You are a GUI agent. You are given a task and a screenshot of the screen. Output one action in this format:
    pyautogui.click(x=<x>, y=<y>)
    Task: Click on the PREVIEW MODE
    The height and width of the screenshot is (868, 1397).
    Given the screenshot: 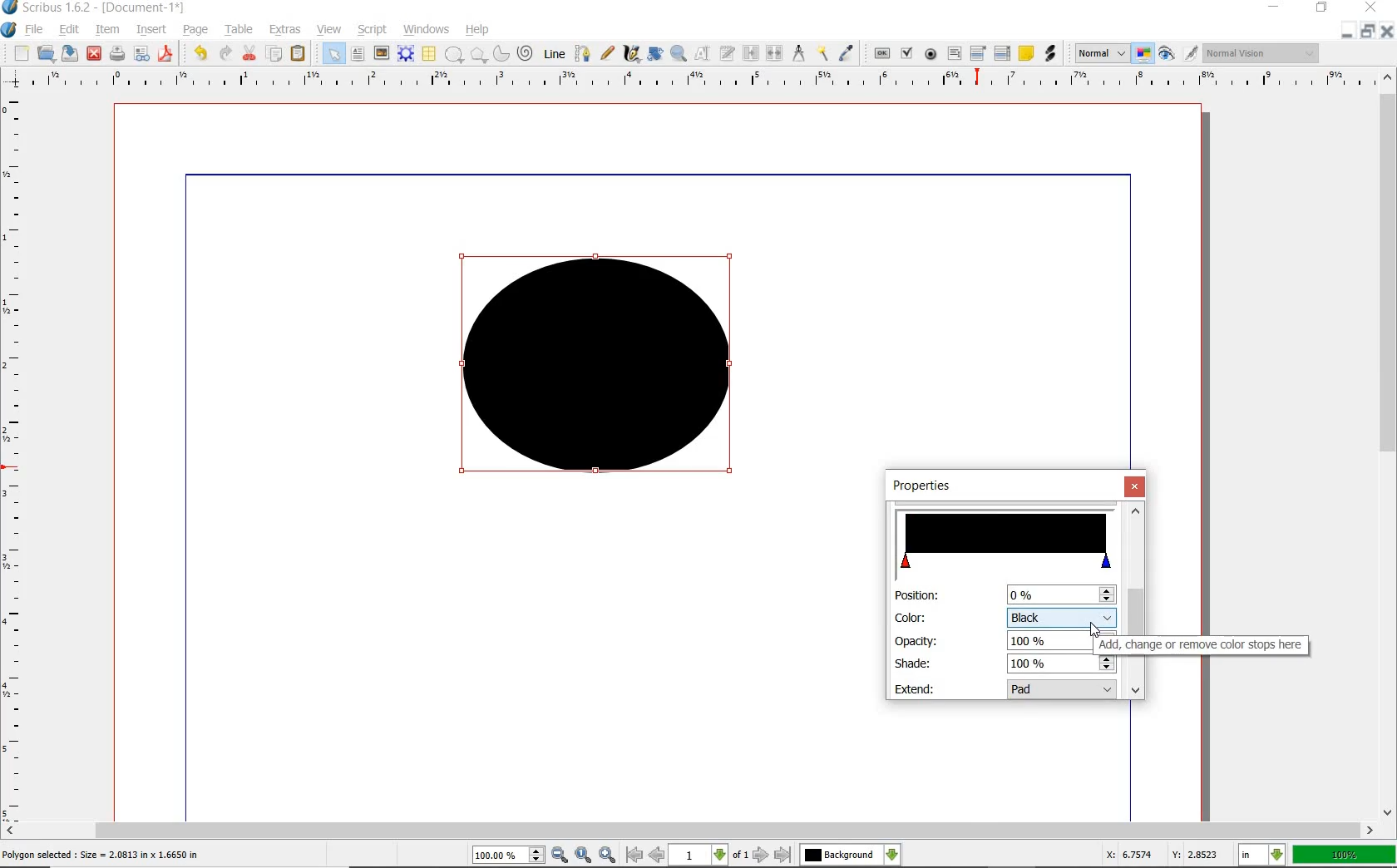 What is the action you would take?
    pyautogui.click(x=1165, y=54)
    